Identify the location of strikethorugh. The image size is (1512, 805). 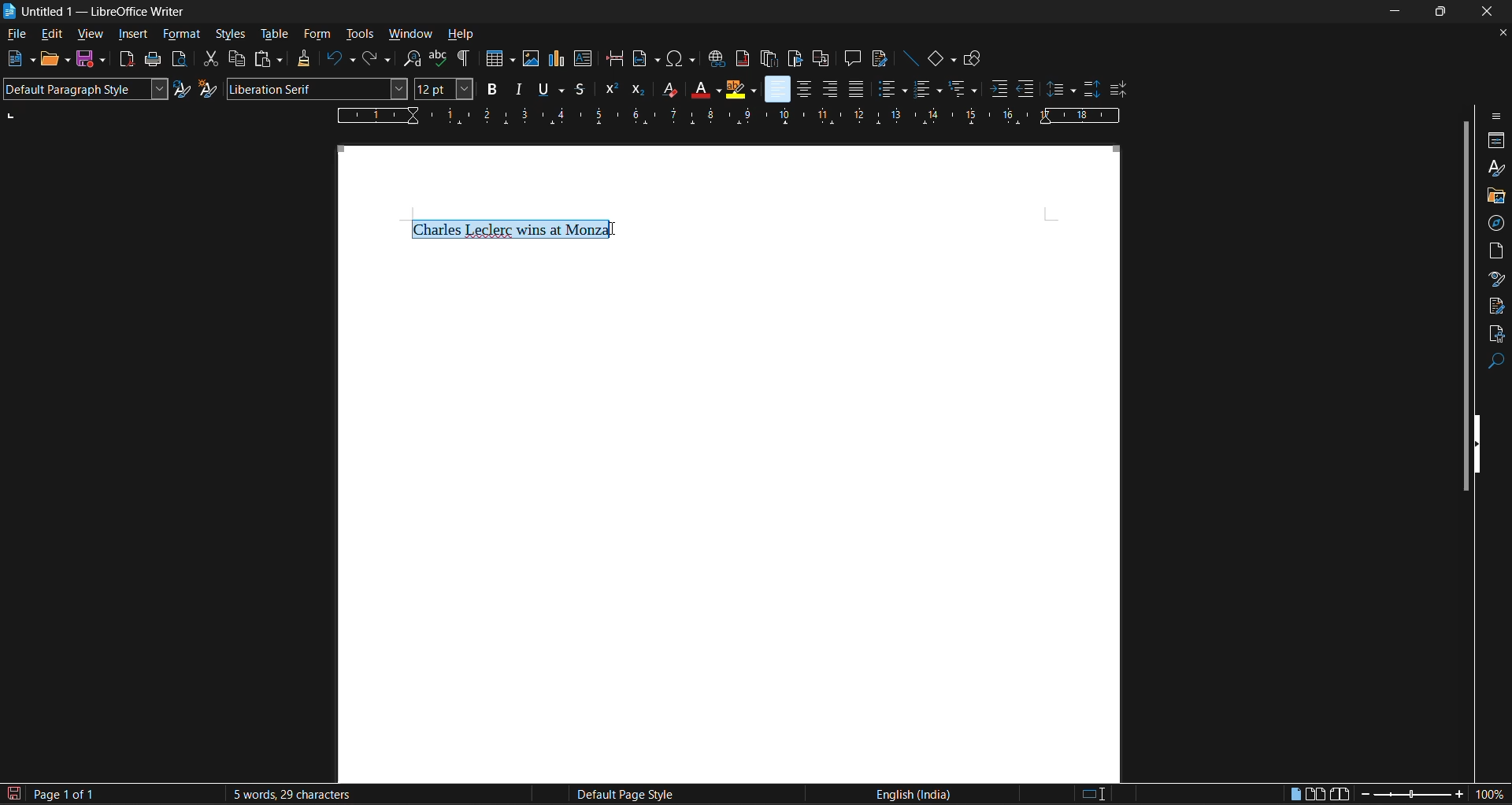
(580, 90).